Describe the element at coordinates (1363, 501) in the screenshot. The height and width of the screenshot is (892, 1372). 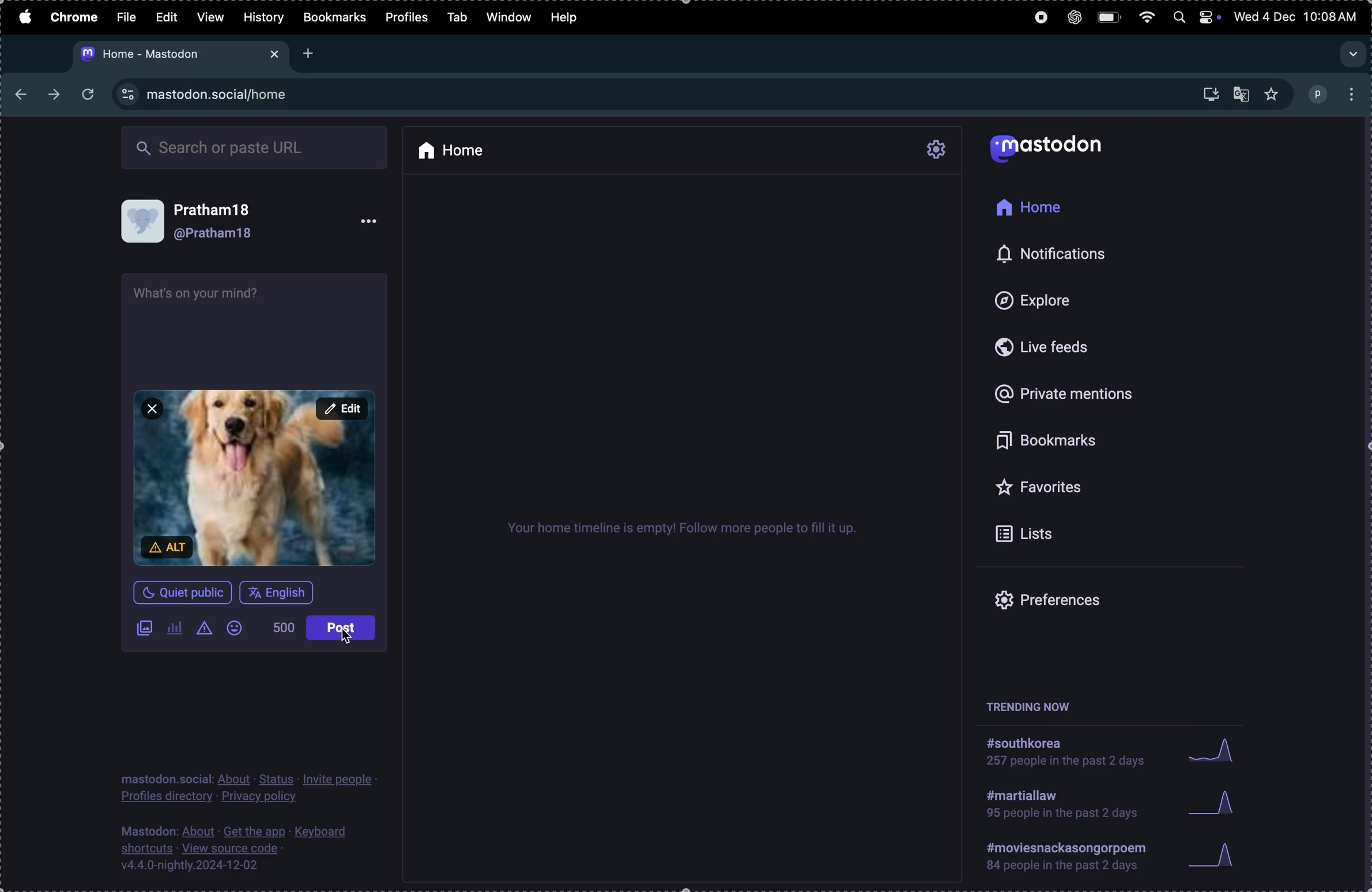
I see `scrollbar` at that location.